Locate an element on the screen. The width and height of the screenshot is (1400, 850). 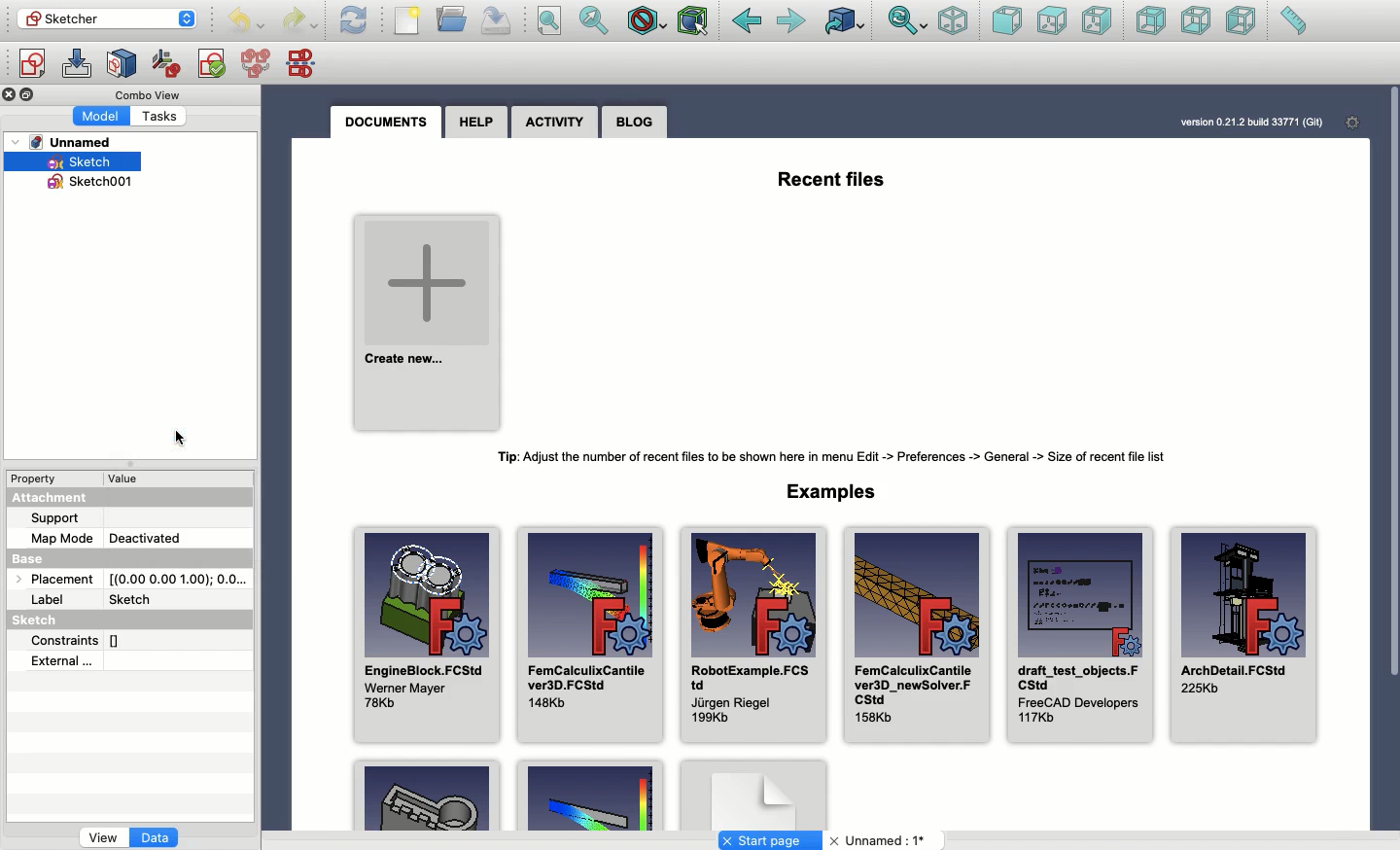
Base is located at coordinates (47, 555).